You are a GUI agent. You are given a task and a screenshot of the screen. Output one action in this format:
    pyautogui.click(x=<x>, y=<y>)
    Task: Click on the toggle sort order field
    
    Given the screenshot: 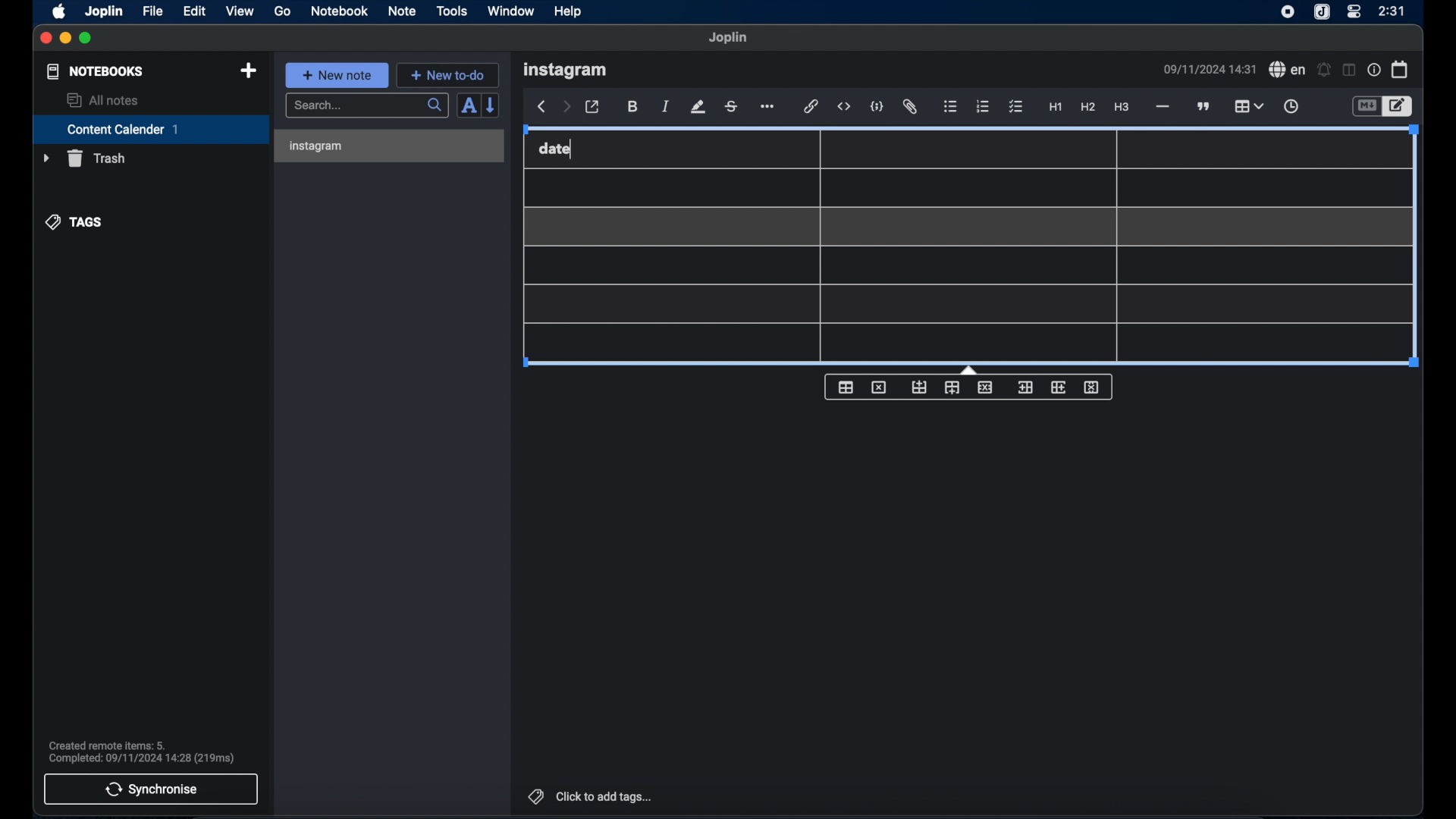 What is the action you would take?
    pyautogui.click(x=468, y=106)
    